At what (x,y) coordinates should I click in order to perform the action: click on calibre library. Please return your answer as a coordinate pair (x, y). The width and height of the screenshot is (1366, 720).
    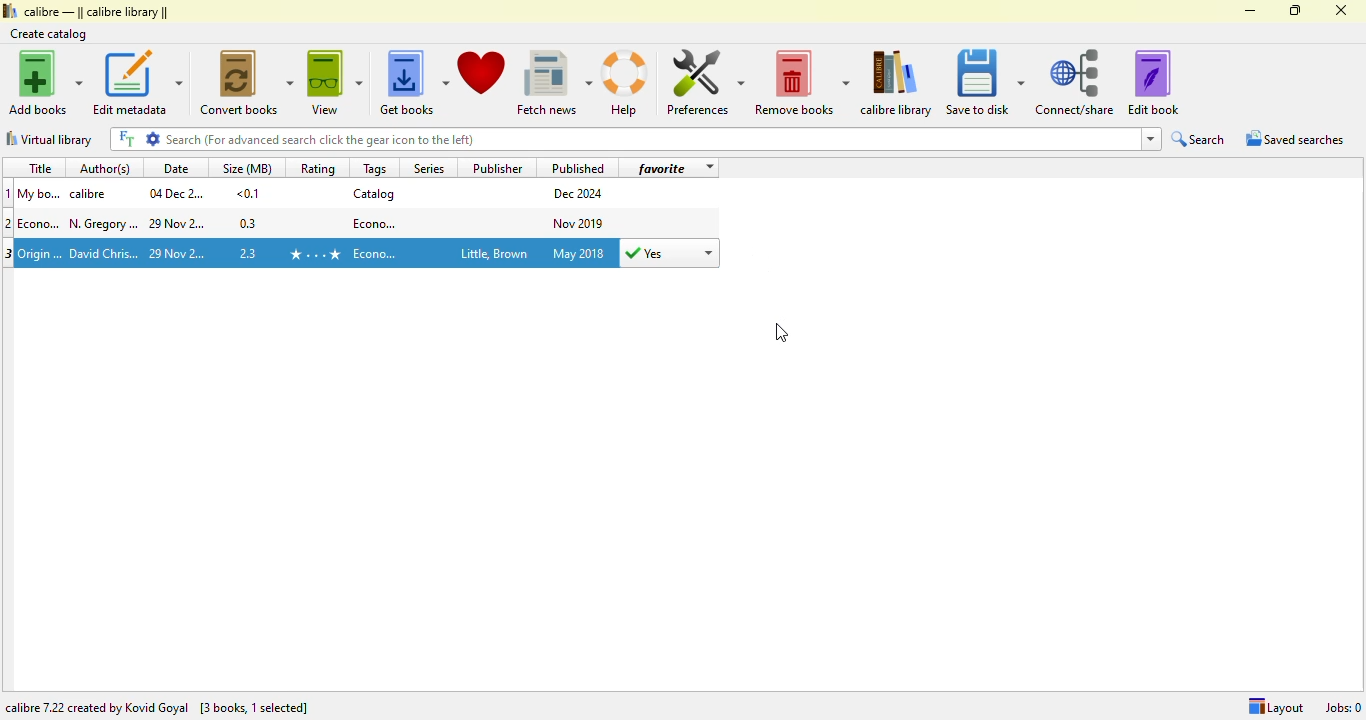
    Looking at the image, I should click on (97, 11).